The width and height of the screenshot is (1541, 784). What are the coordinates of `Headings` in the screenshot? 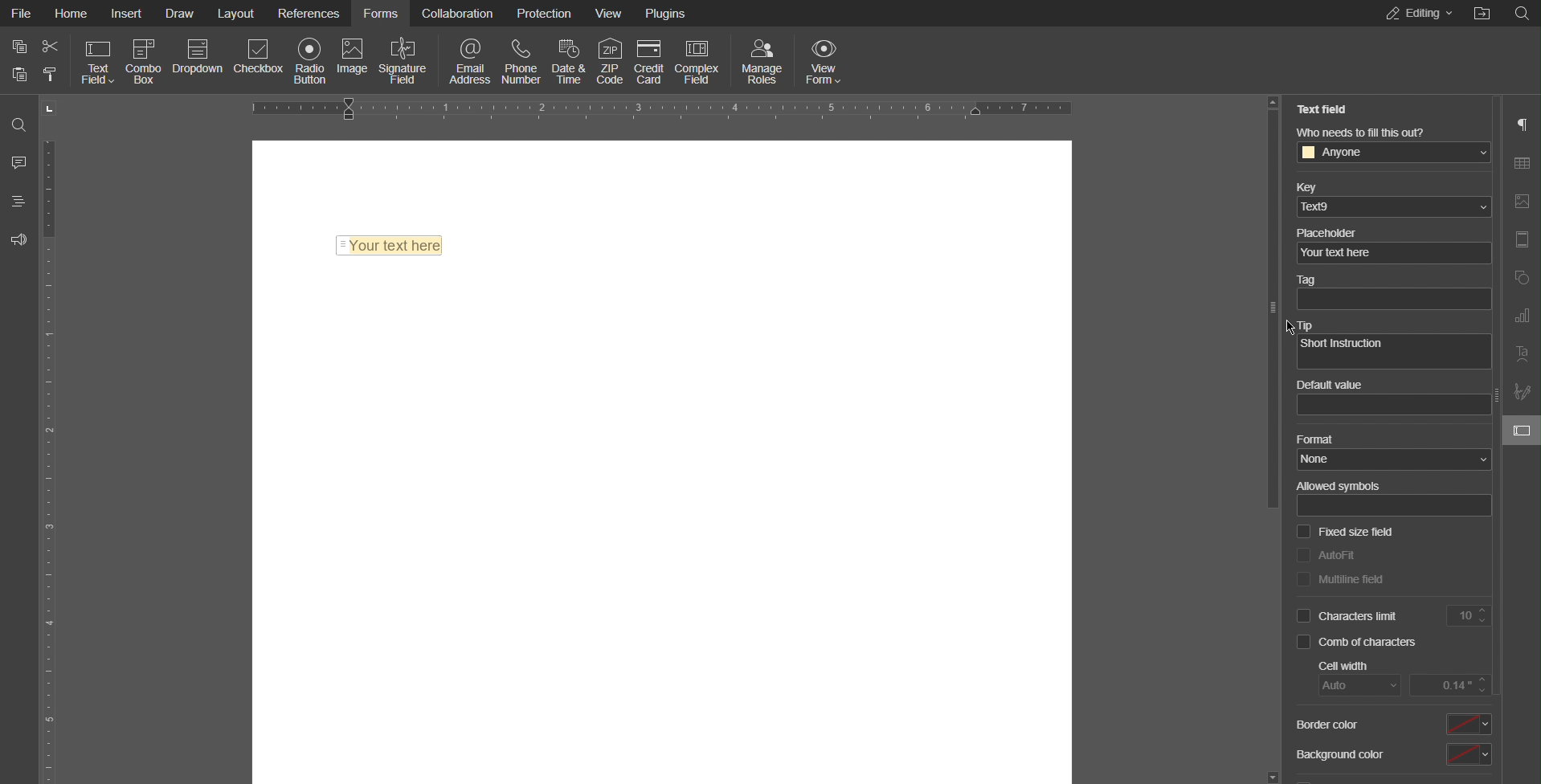 It's located at (20, 201).